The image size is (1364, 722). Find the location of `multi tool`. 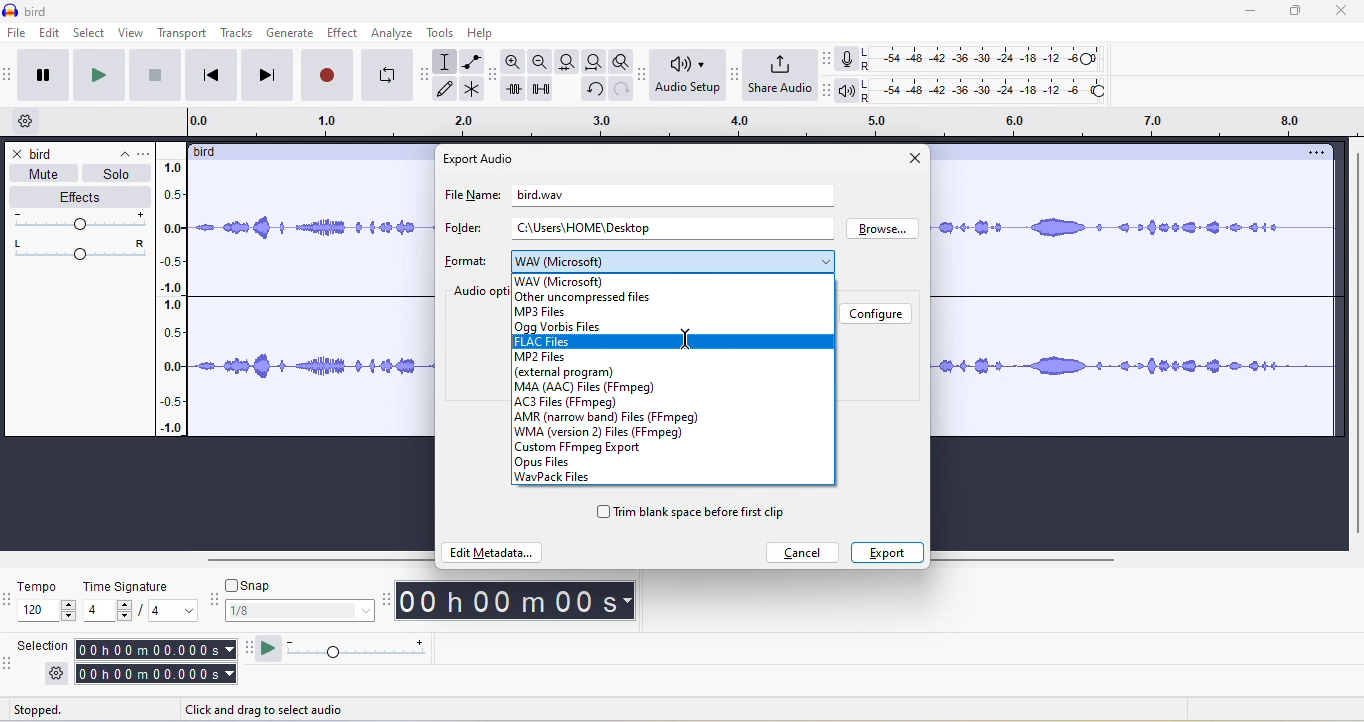

multi tool is located at coordinates (474, 91).